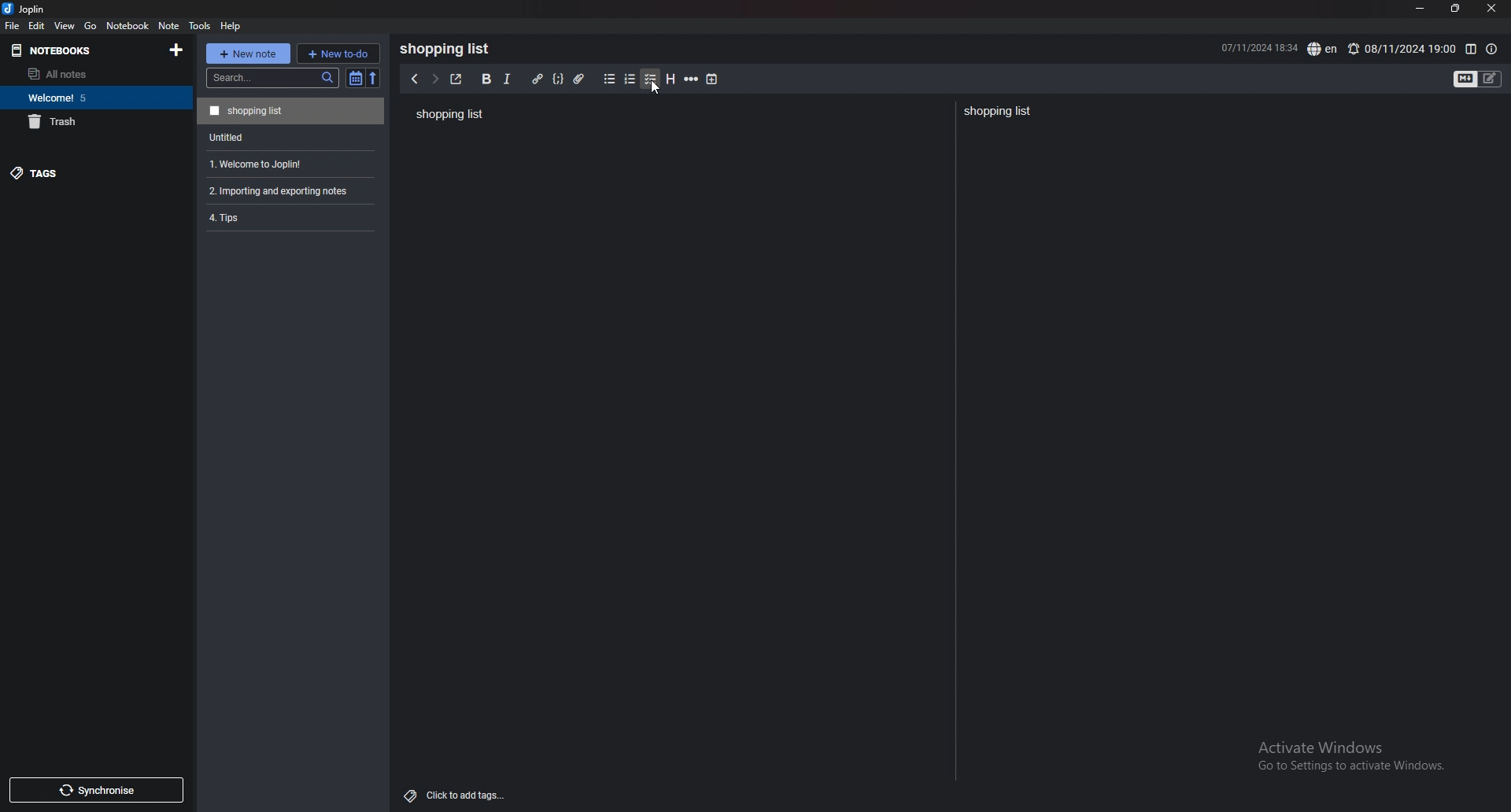  Describe the element at coordinates (434, 79) in the screenshot. I see `next` at that location.